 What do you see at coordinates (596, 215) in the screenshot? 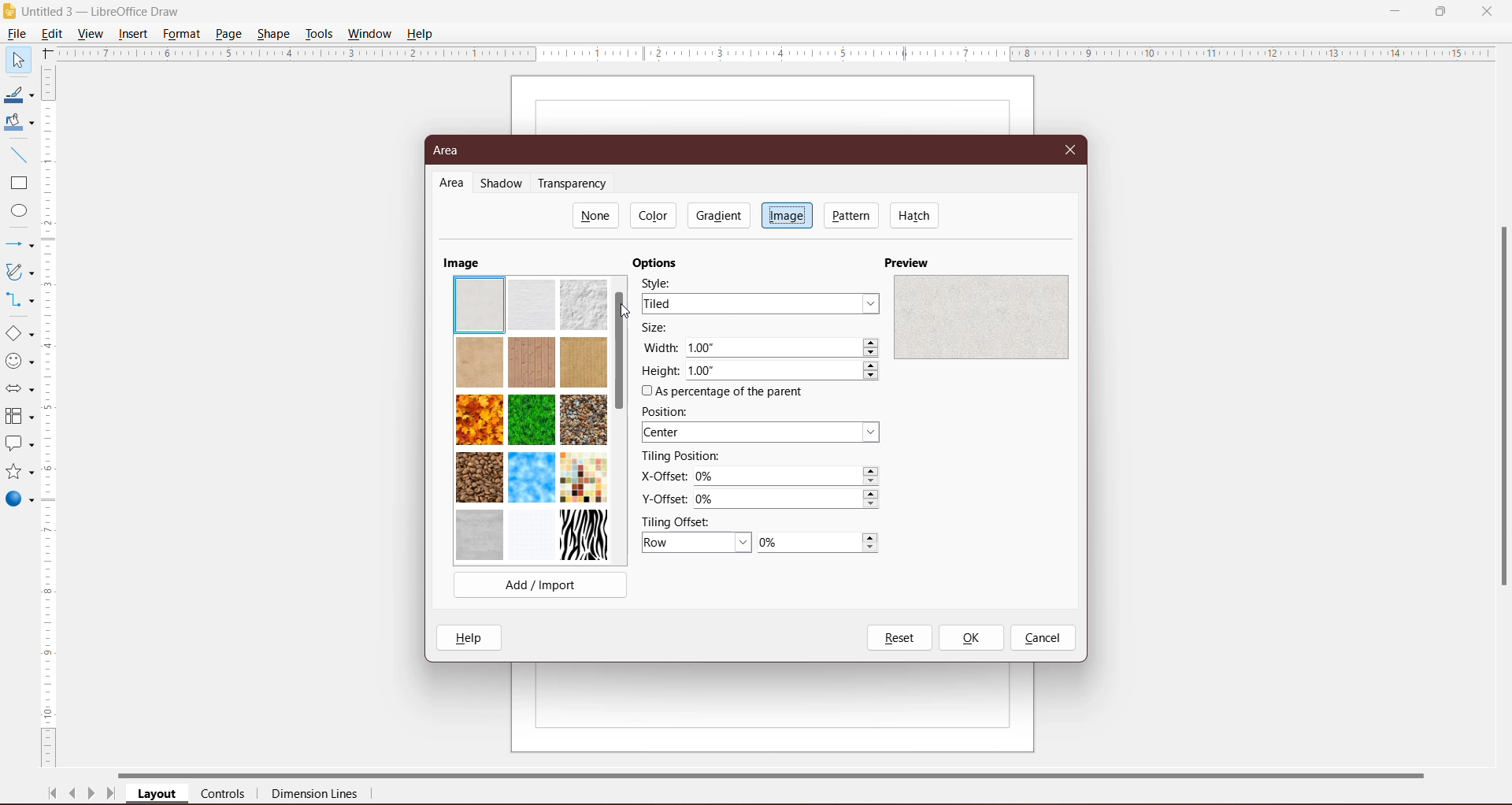
I see `None` at bounding box center [596, 215].